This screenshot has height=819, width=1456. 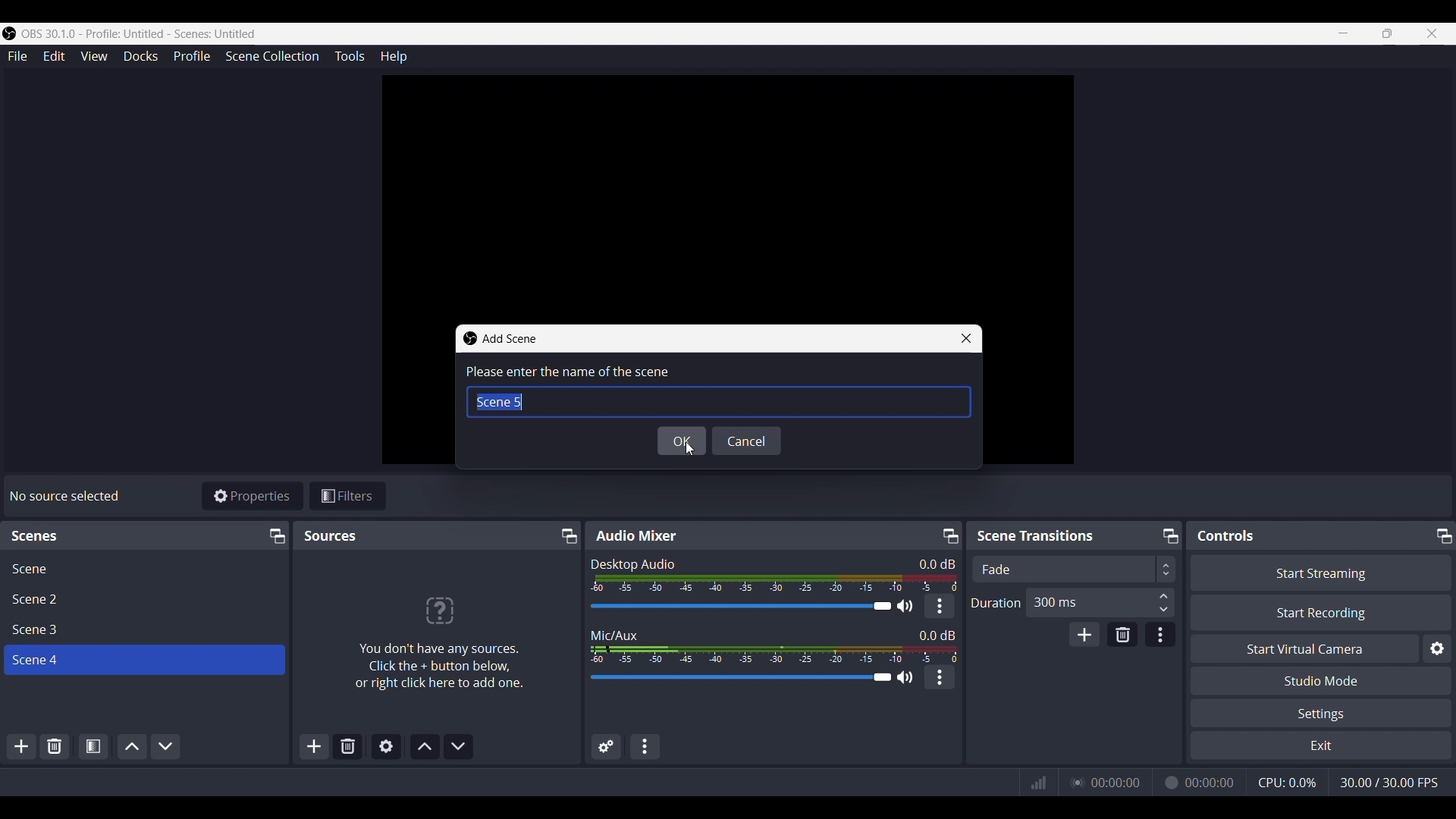 I want to click on Close, so click(x=1435, y=33).